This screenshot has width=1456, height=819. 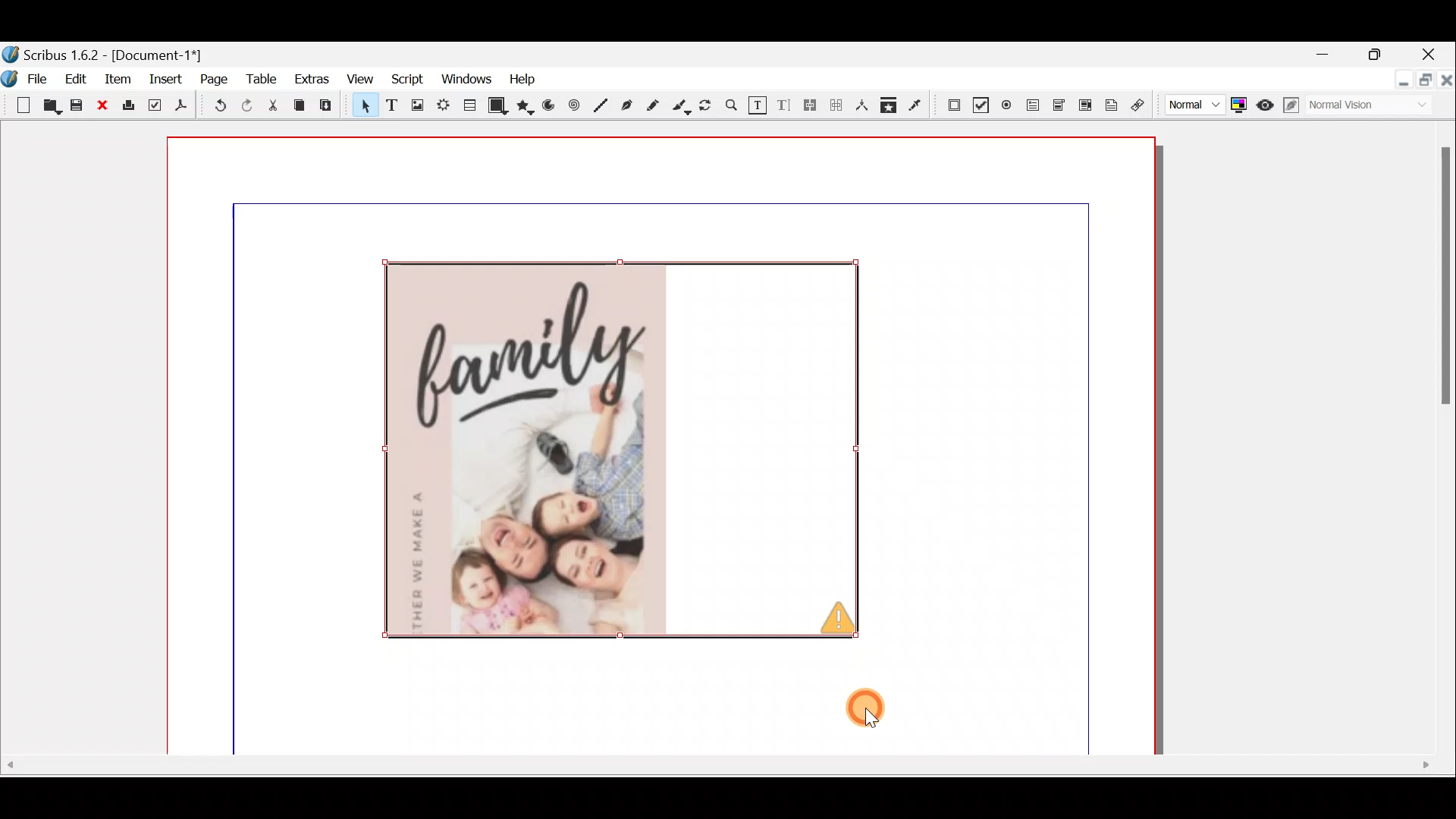 I want to click on Polygon, so click(x=526, y=107).